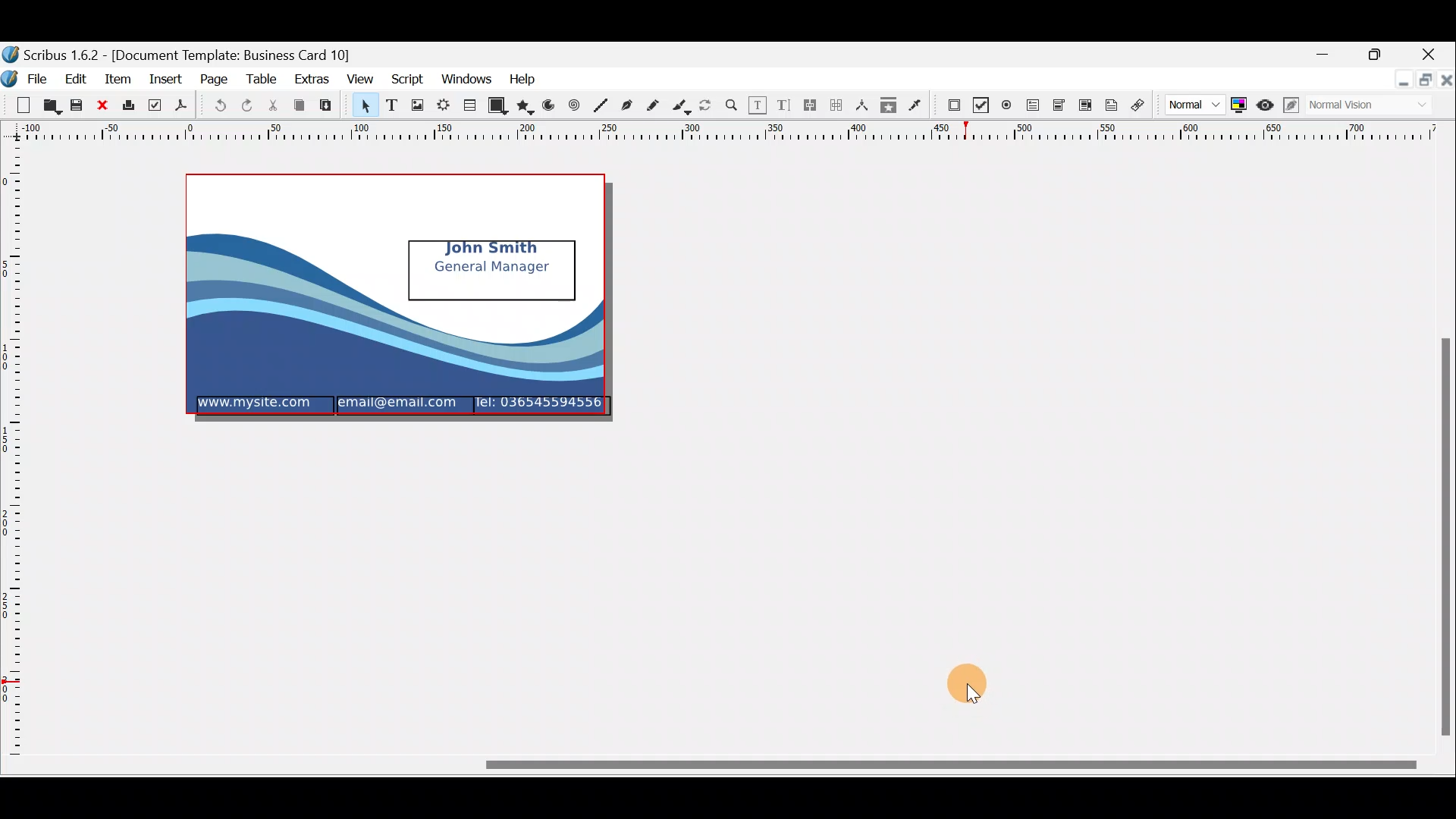 The width and height of the screenshot is (1456, 819). Describe the element at coordinates (311, 77) in the screenshot. I see `Extras` at that location.